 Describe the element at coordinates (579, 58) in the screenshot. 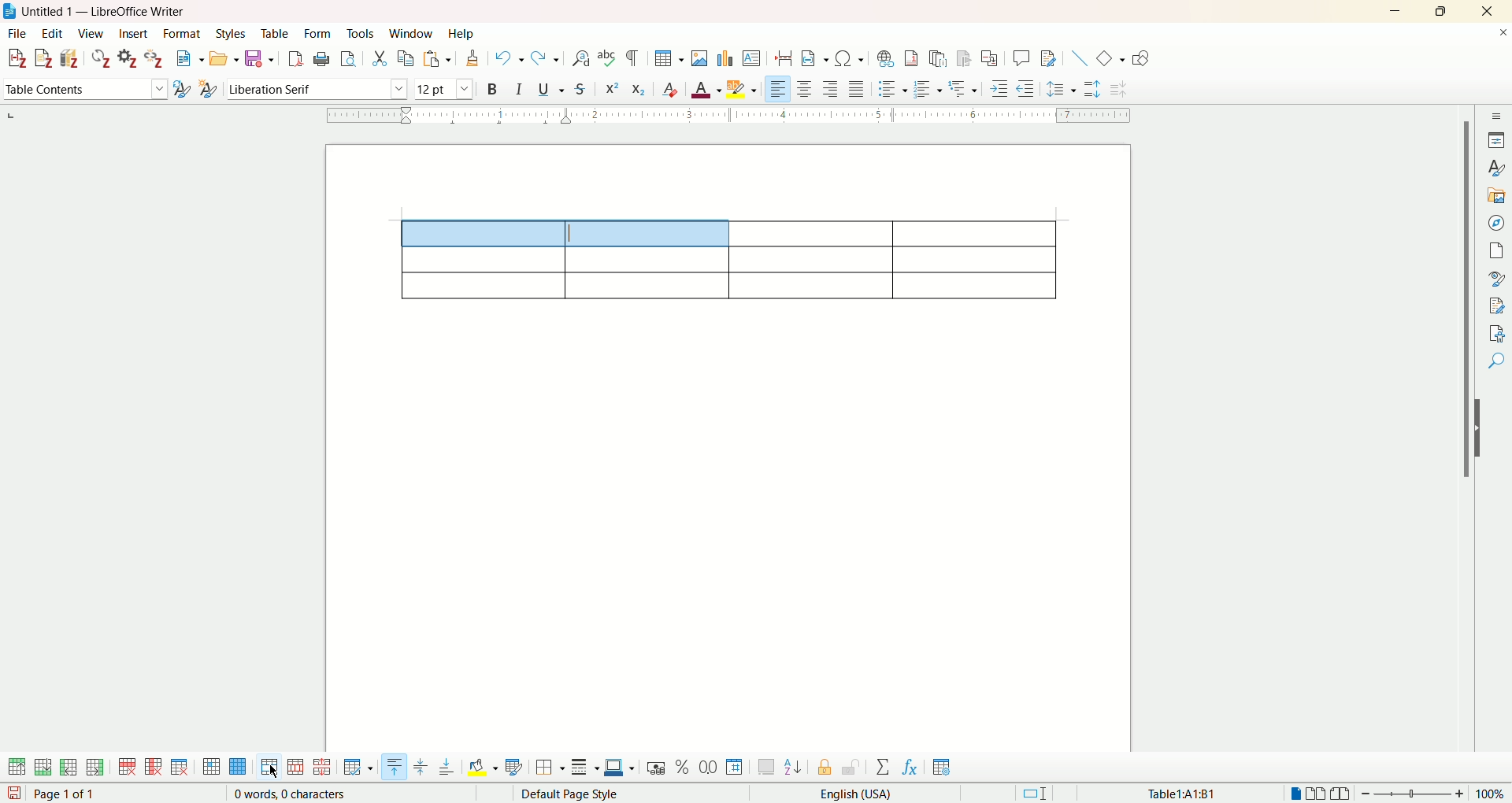

I see `find and replace` at that location.